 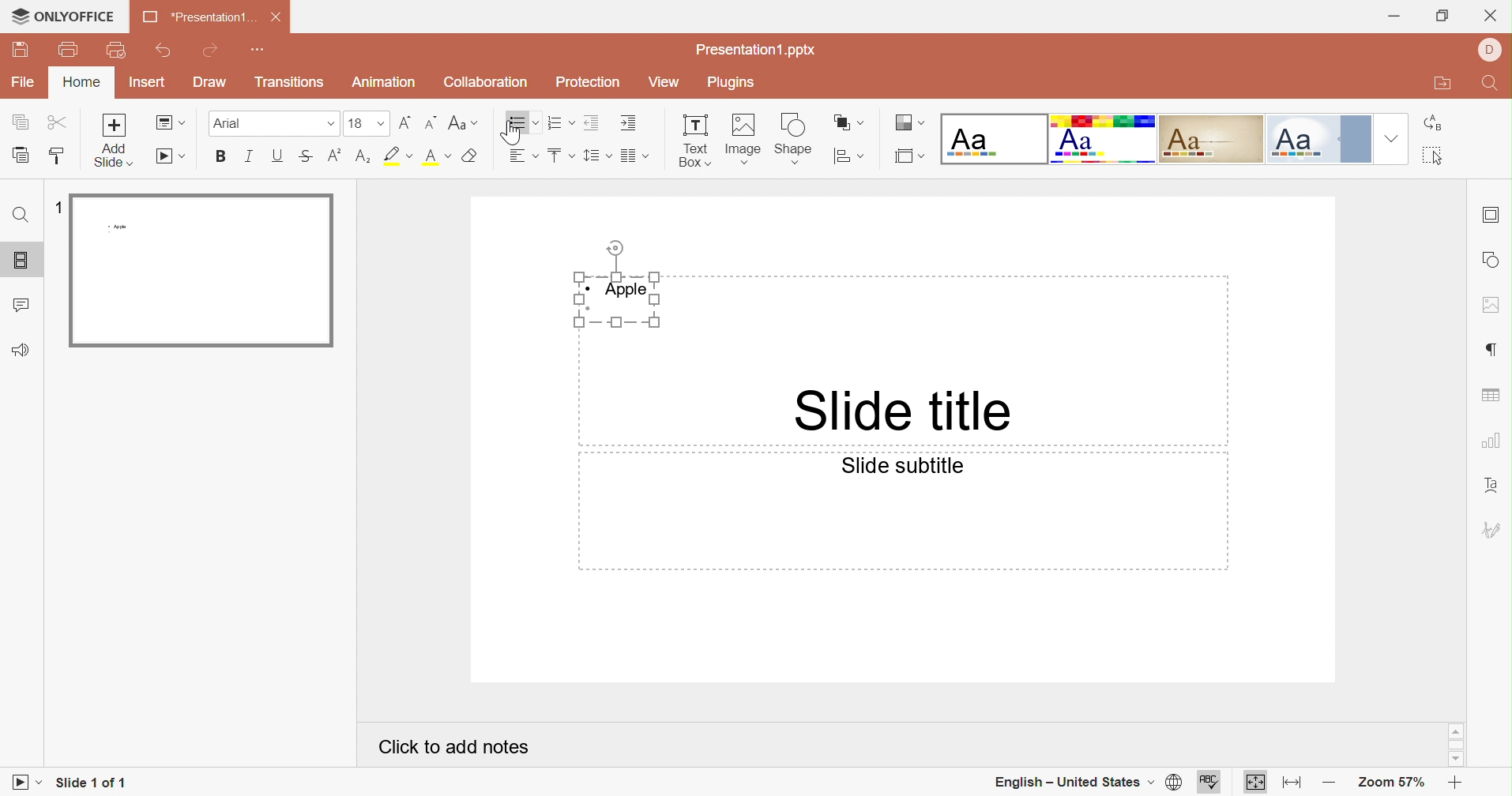 What do you see at coordinates (1446, 86) in the screenshot?
I see `Open file location` at bounding box center [1446, 86].